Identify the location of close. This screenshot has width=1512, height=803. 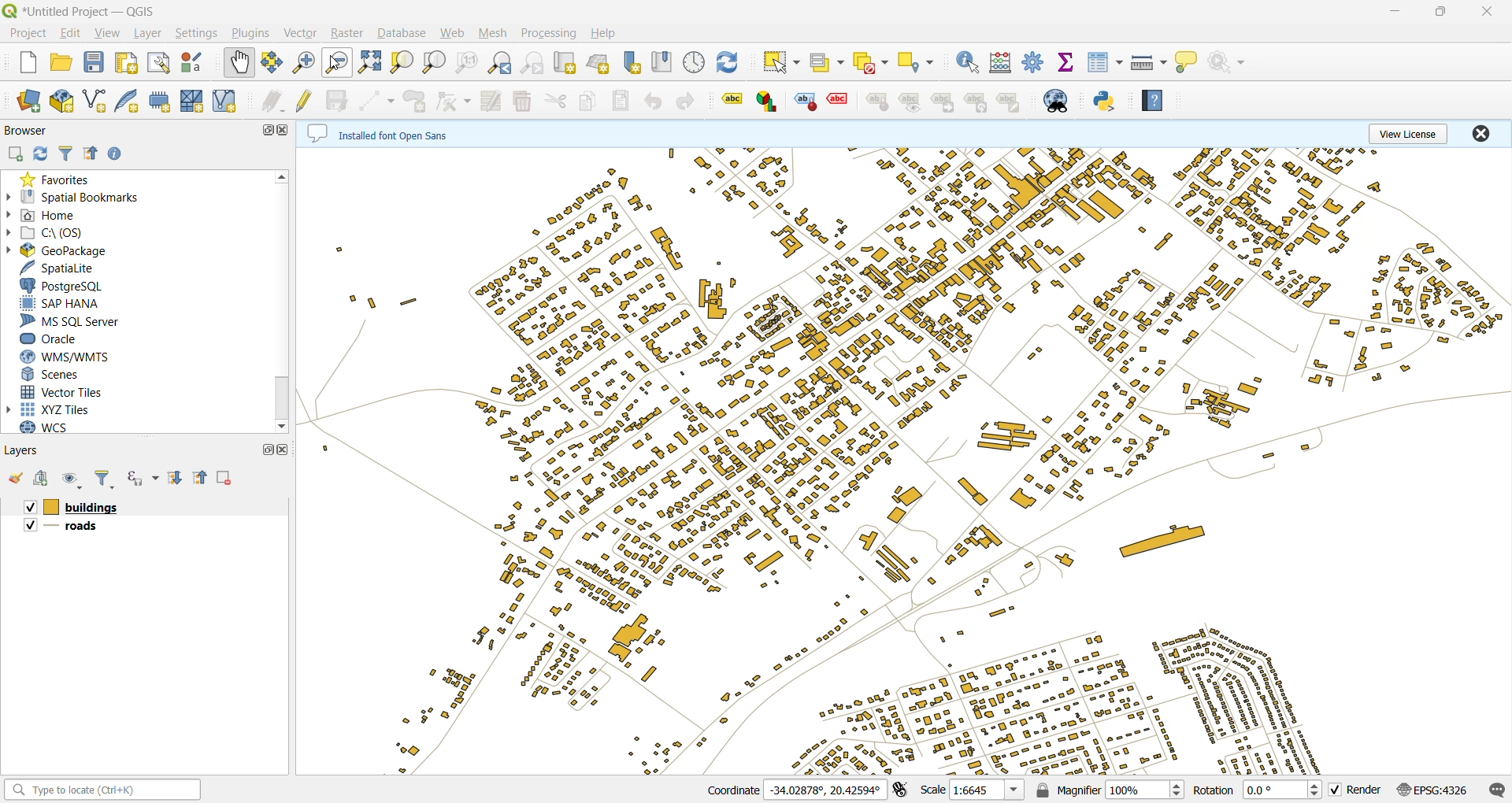
(283, 452).